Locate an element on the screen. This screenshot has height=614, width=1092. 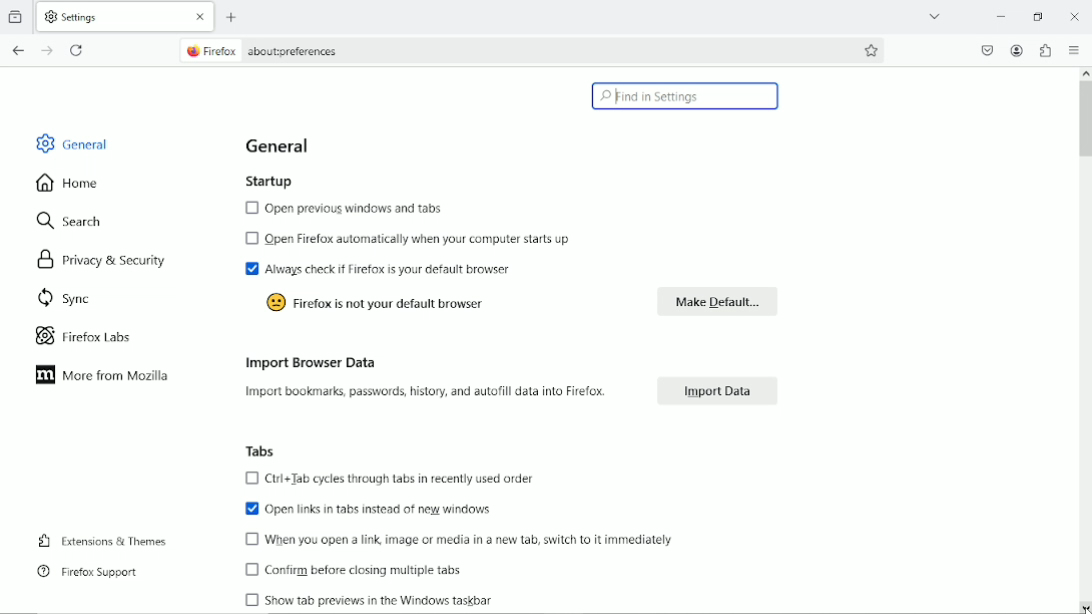
open applications menu is located at coordinates (1074, 51).